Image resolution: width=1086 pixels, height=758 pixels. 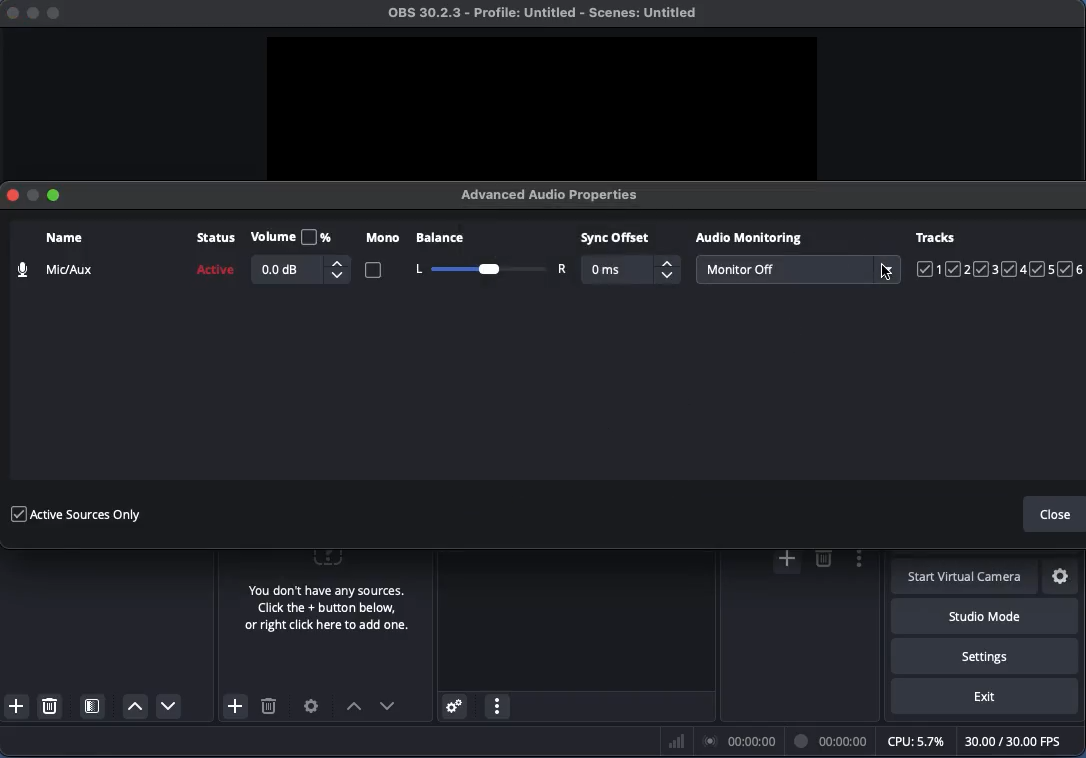 What do you see at coordinates (1000, 254) in the screenshot?
I see `Tracks` at bounding box center [1000, 254].